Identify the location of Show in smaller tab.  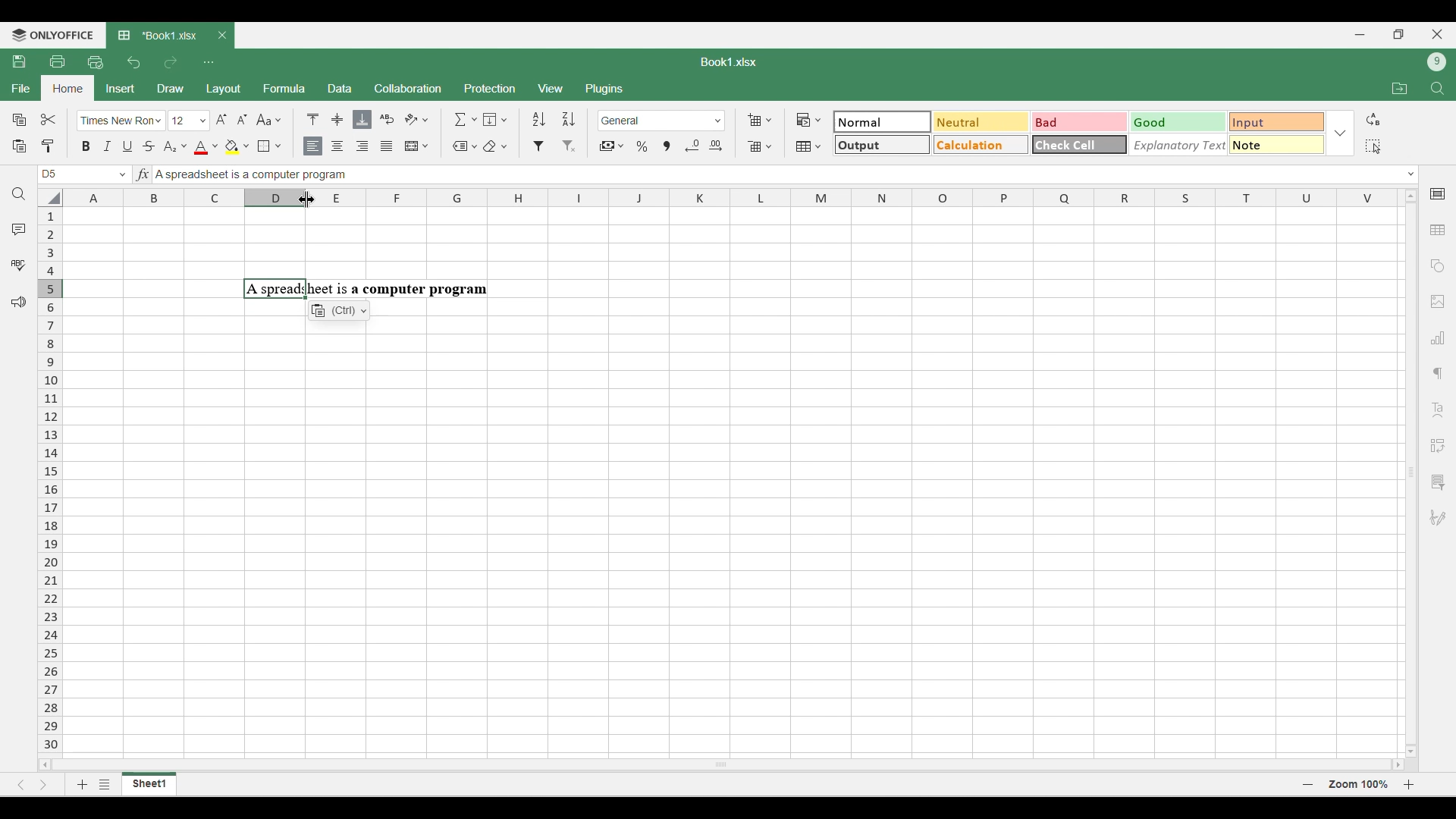
(1399, 34).